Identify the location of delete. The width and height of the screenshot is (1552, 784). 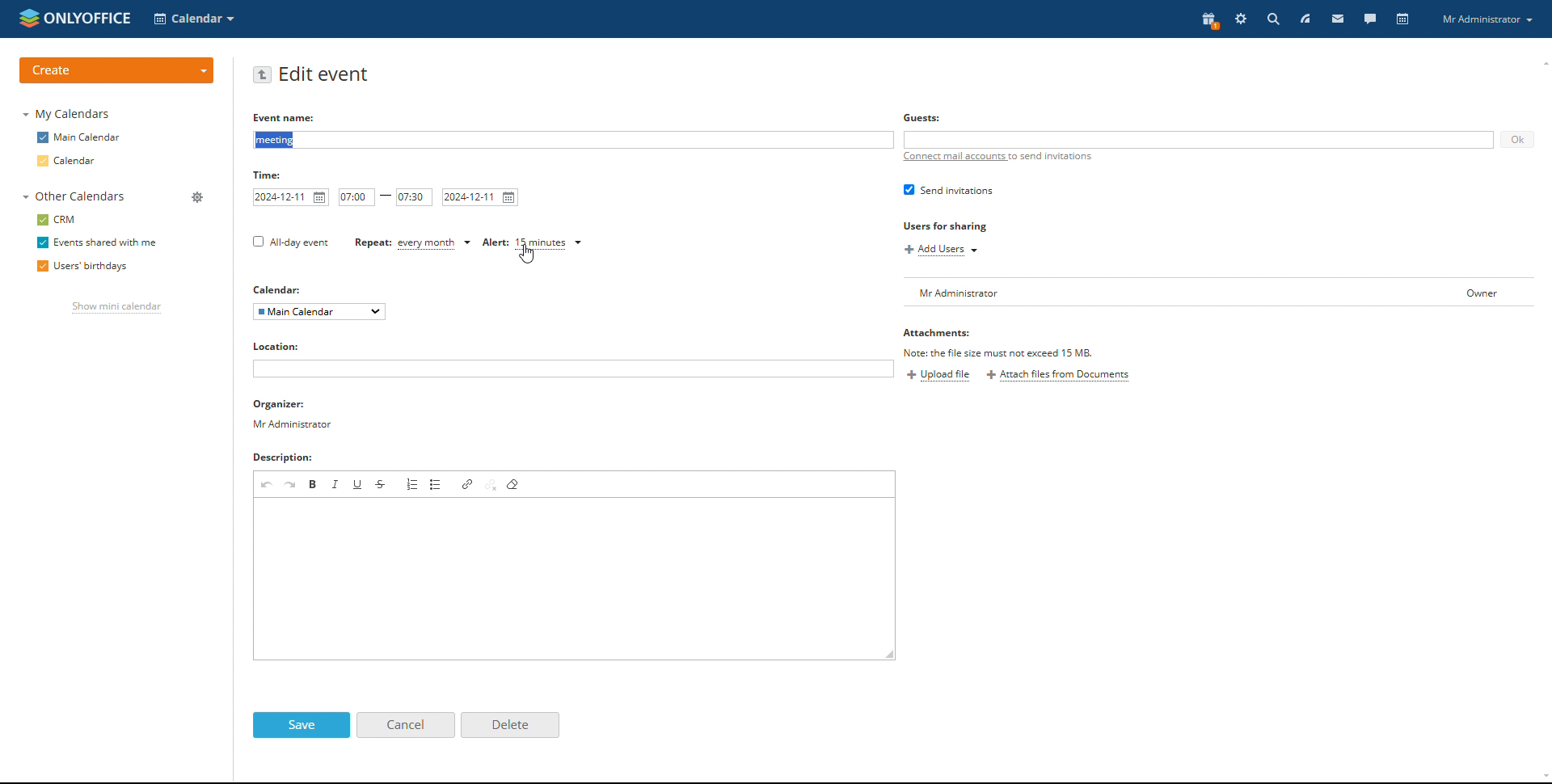
(510, 725).